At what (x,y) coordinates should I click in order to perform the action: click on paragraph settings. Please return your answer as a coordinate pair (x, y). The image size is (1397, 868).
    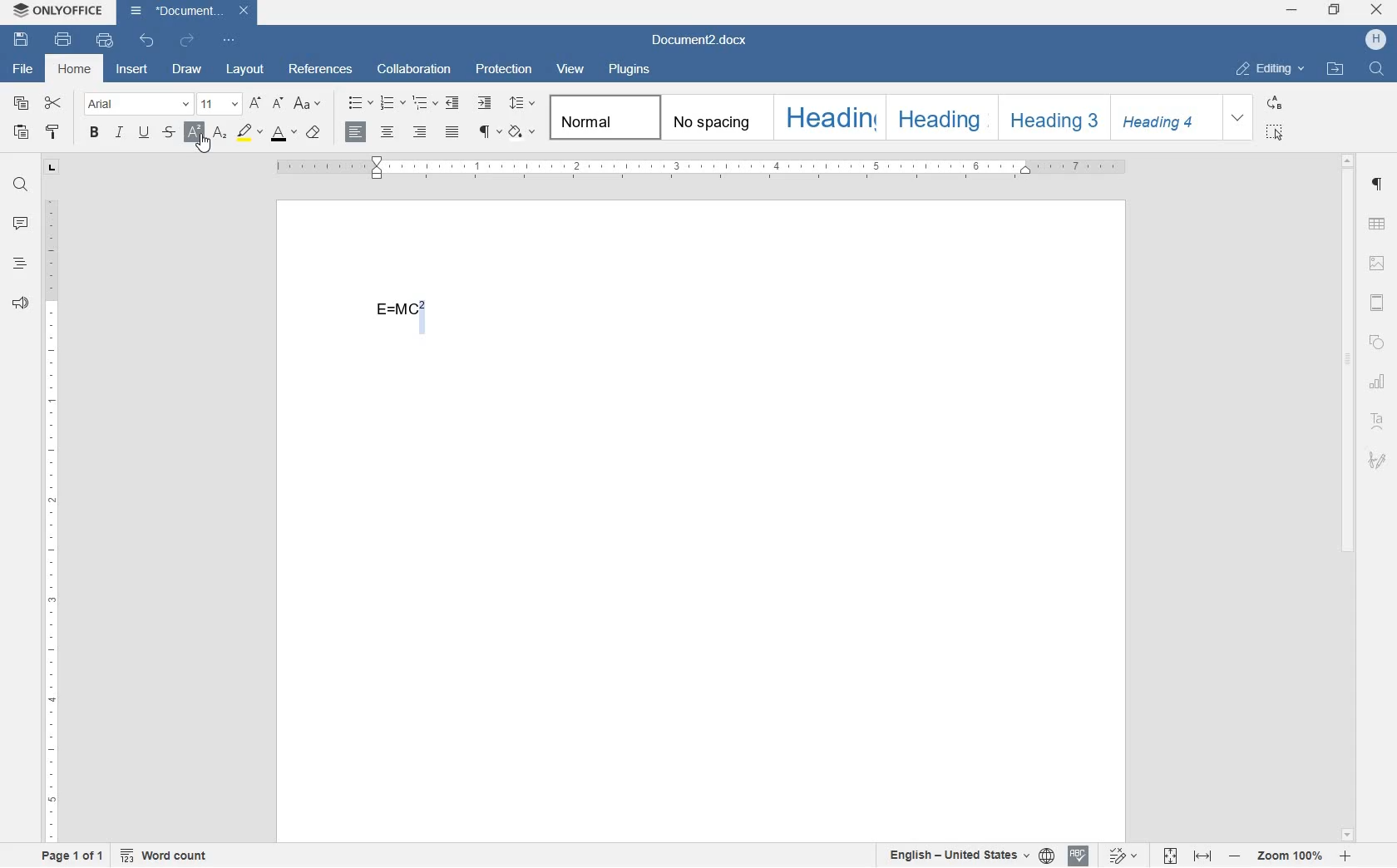
    Looking at the image, I should click on (1380, 185).